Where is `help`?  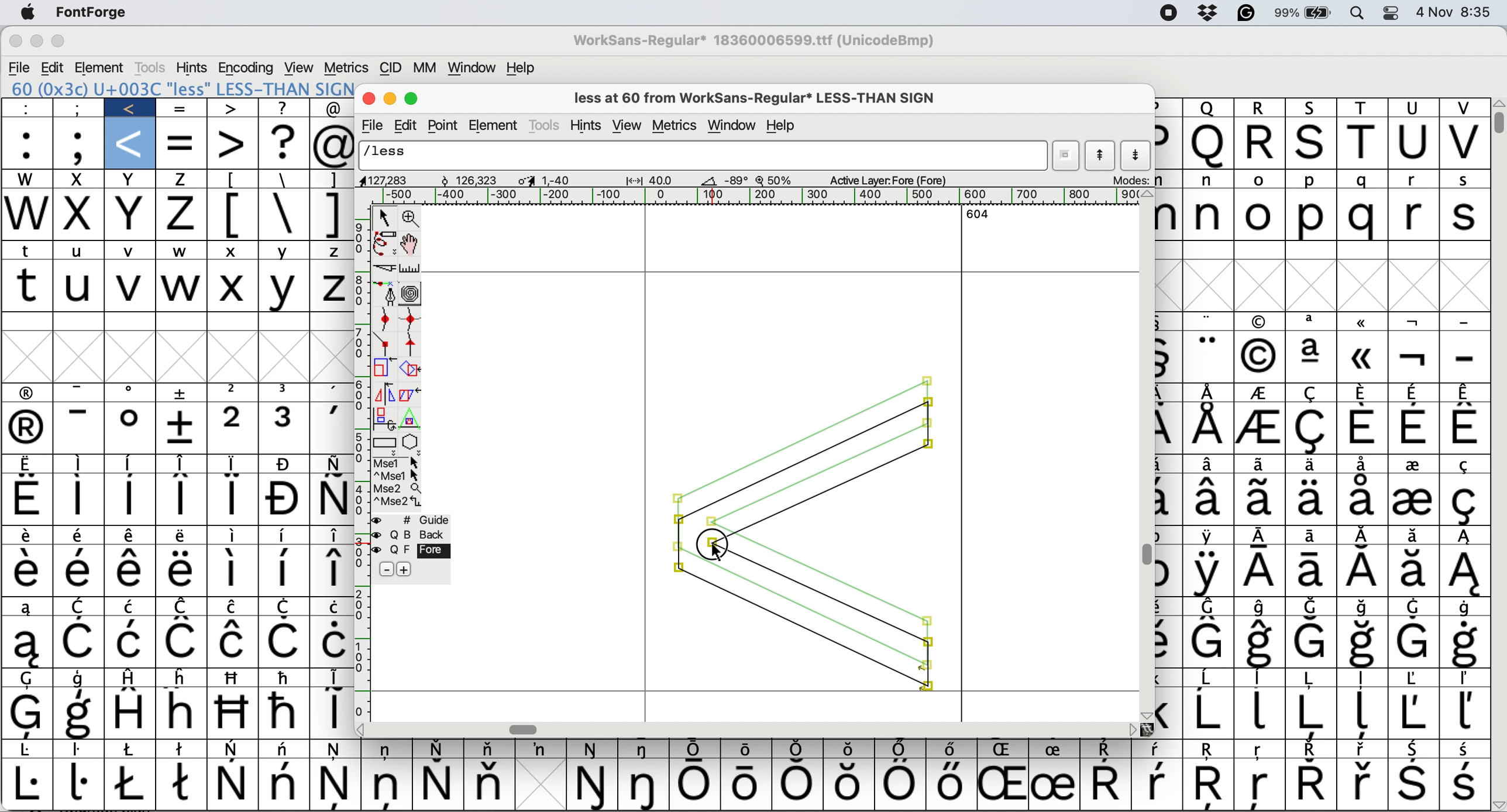 help is located at coordinates (521, 66).